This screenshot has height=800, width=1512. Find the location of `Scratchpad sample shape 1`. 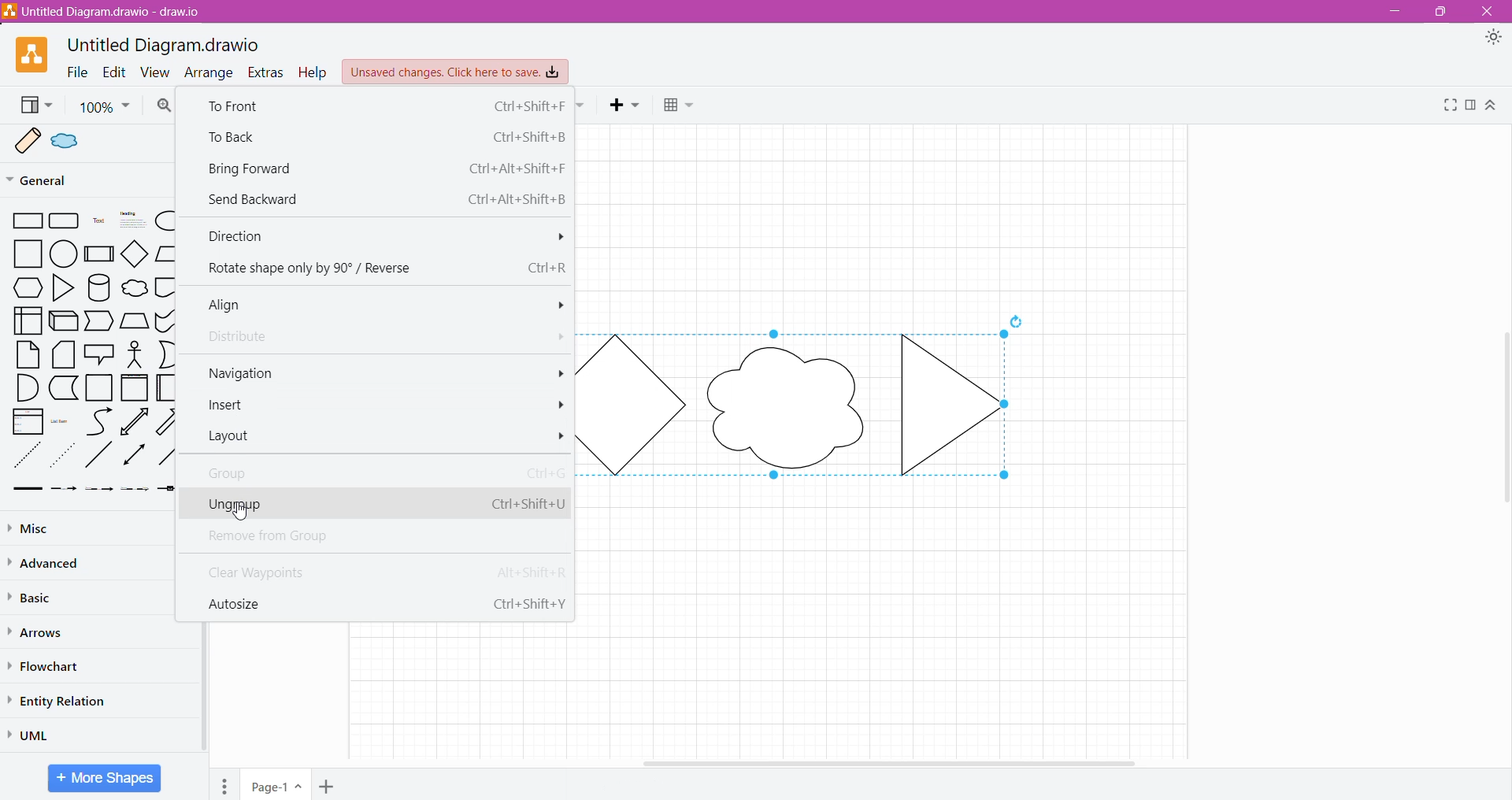

Scratchpad sample shape 1 is located at coordinates (29, 139).